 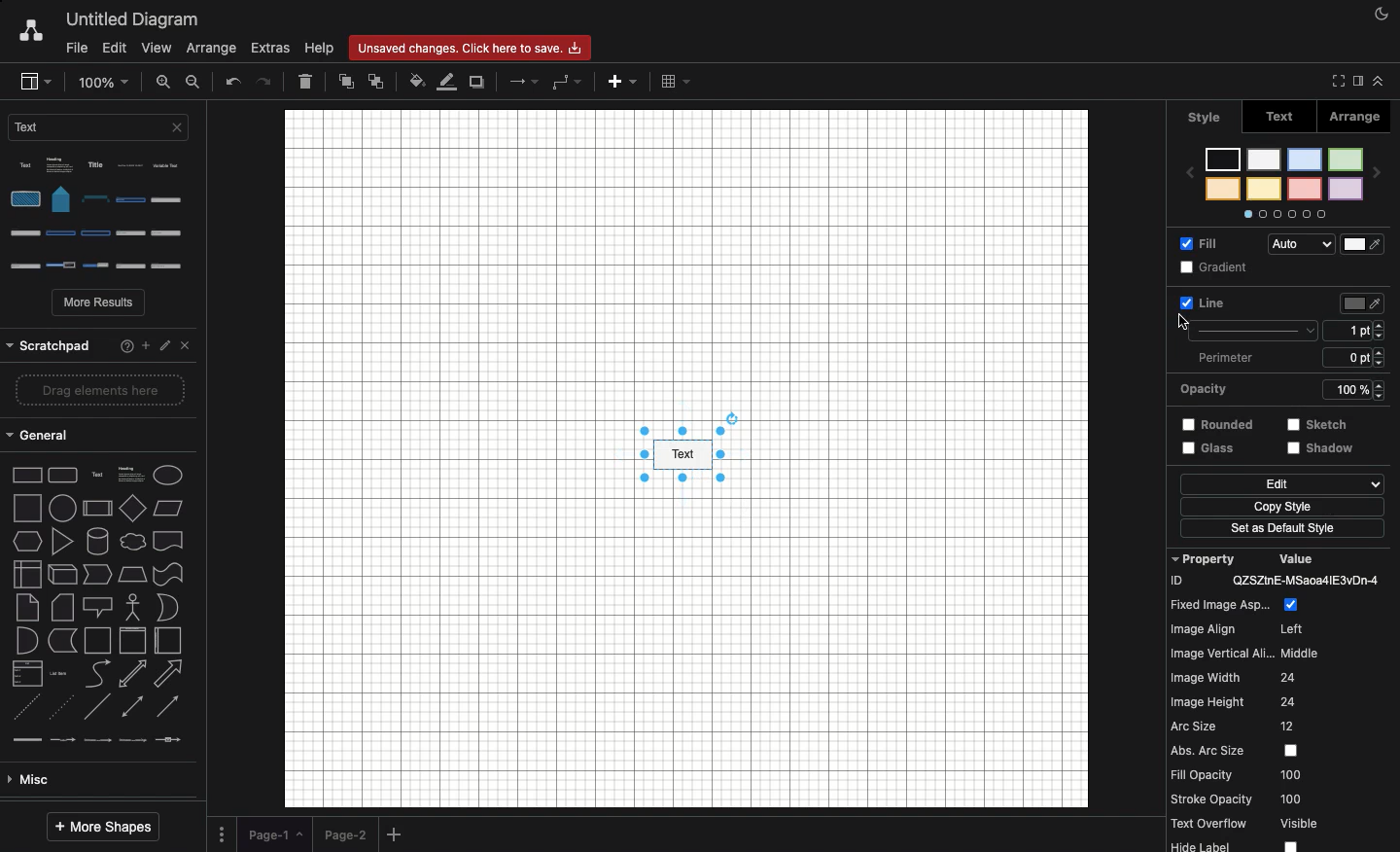 I want to click on Fill, so click(x=1209, y=247).